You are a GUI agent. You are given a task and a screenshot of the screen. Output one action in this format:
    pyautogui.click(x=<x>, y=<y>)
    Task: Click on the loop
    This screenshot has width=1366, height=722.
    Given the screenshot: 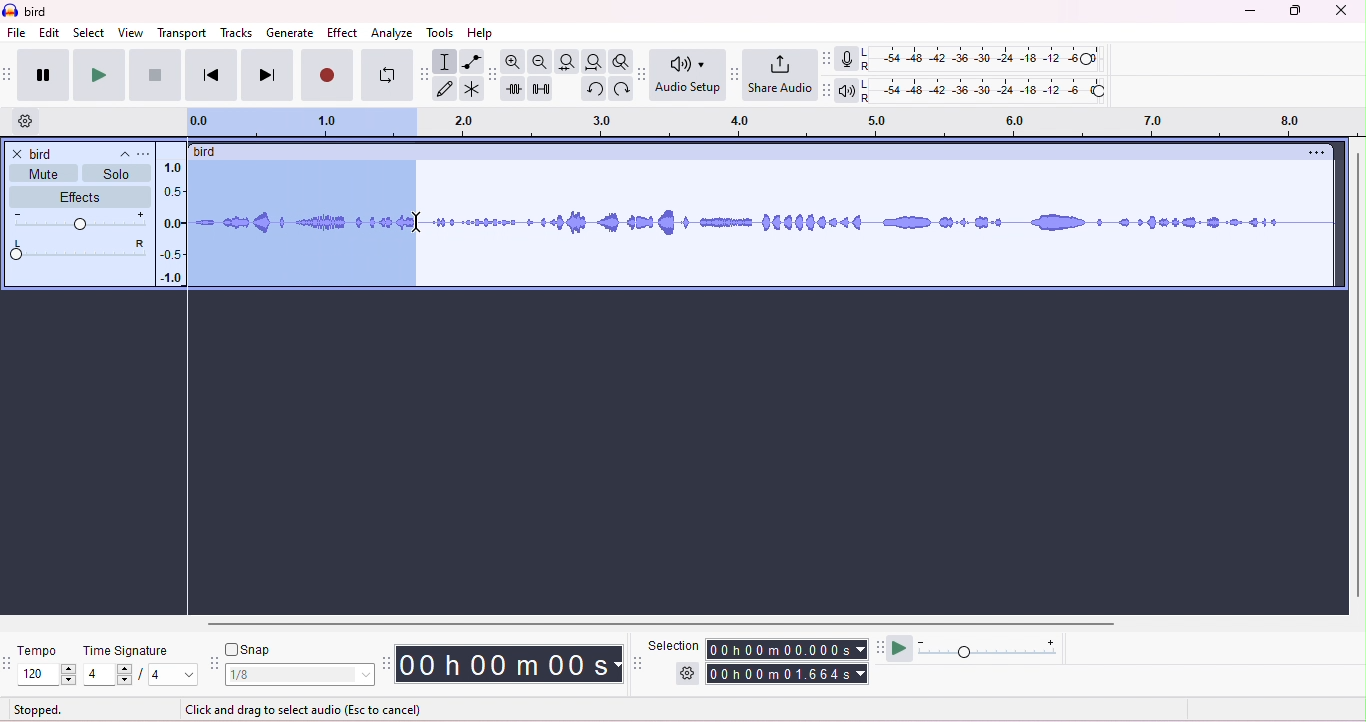 What is the action you would take?
    pyautogui.click(x=387, y=75)
    